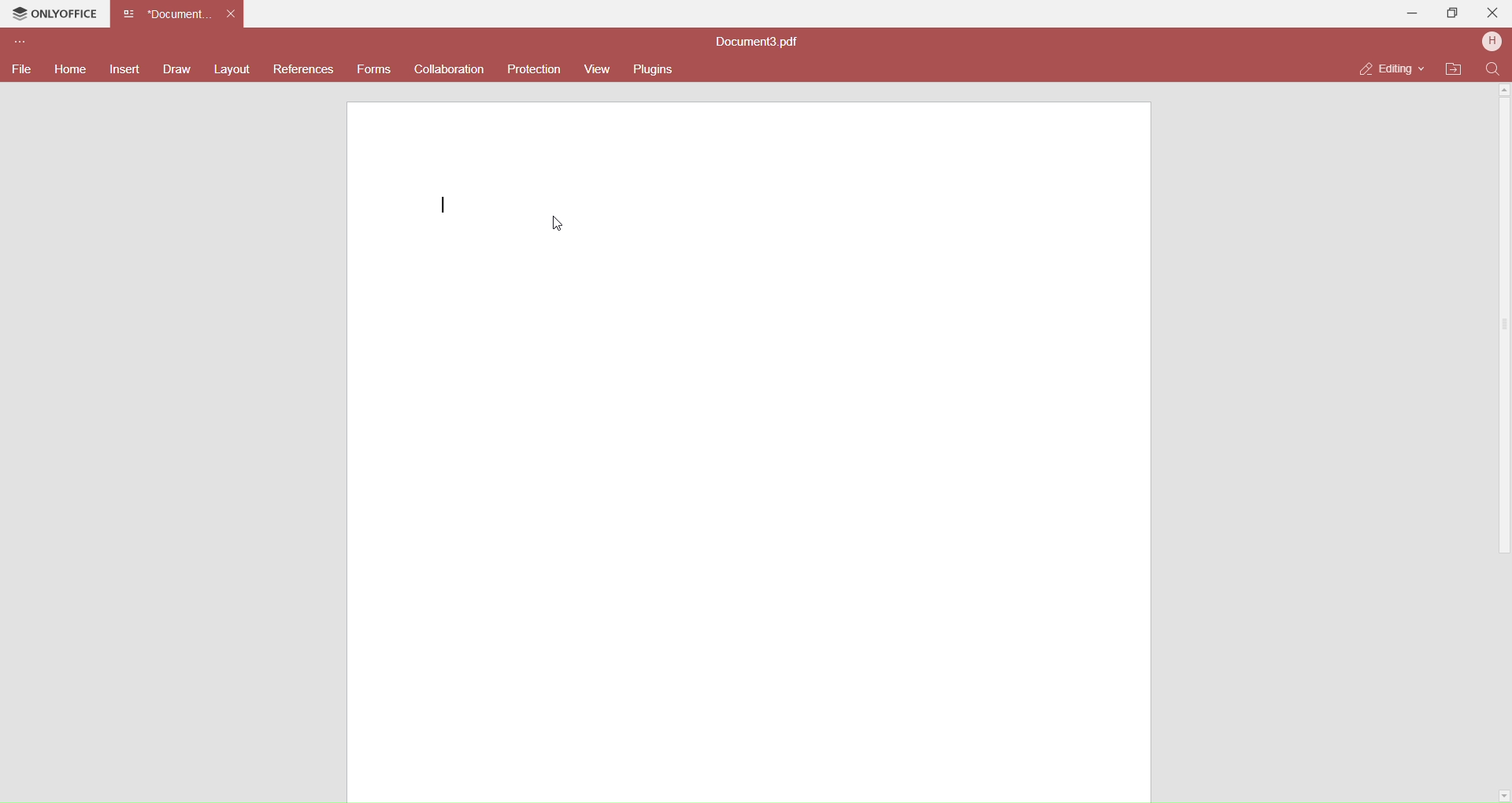 This screenshot has height=803, width=1512. I want to click on document title, so click(759, 43).